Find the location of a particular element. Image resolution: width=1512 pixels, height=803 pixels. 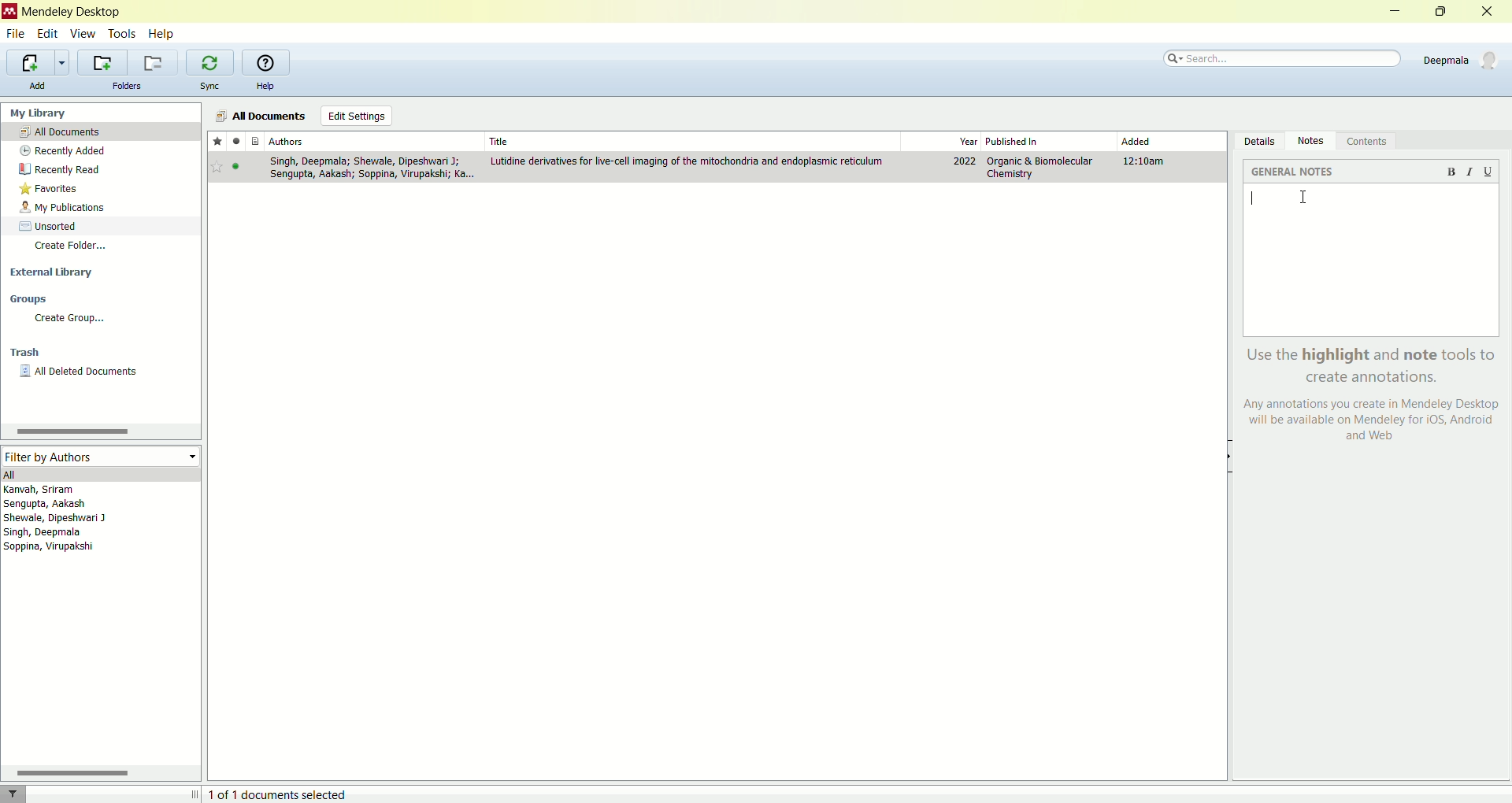

added is located at coordinates (1137, 142).